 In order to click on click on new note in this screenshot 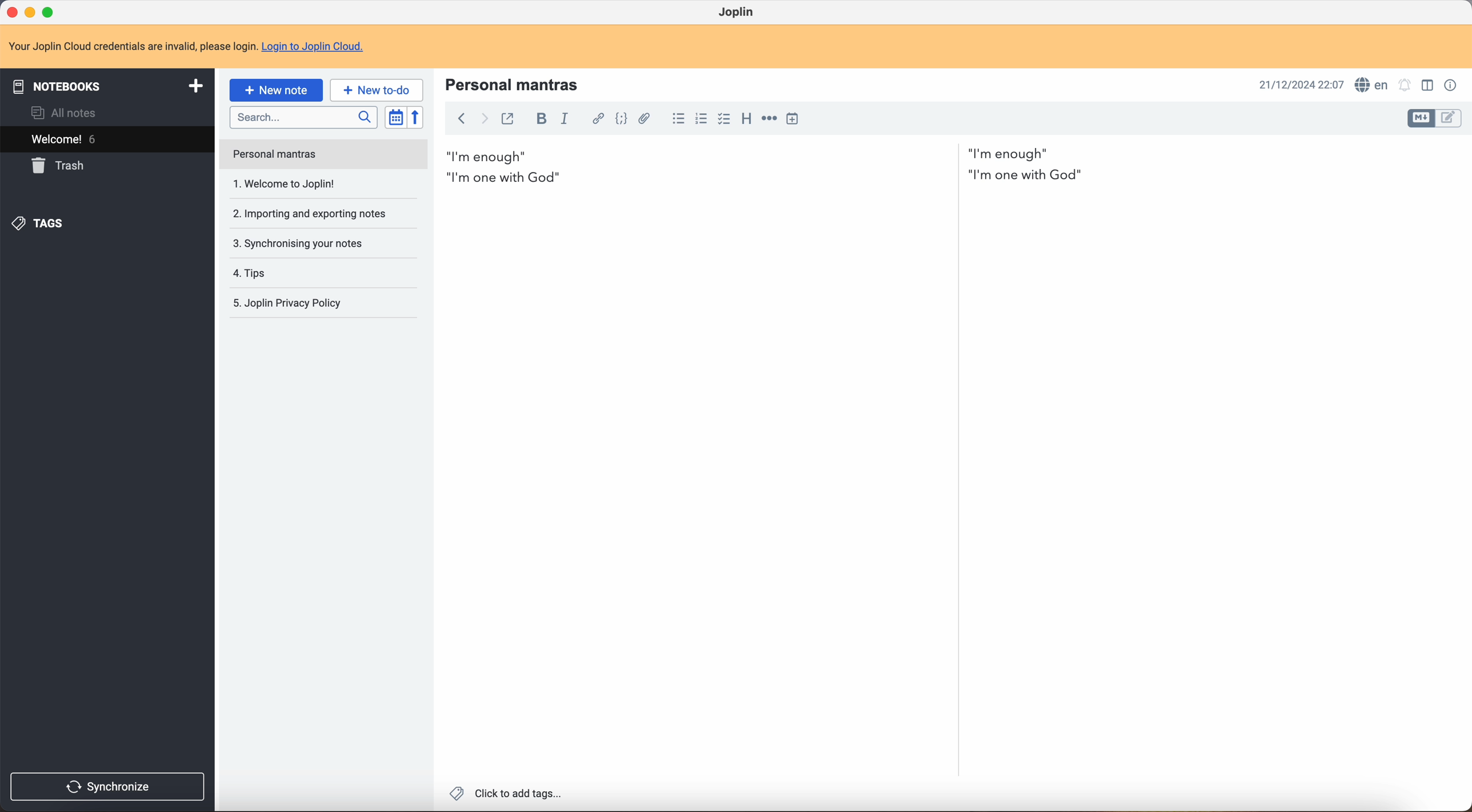, I will do `click(277, 91)`.